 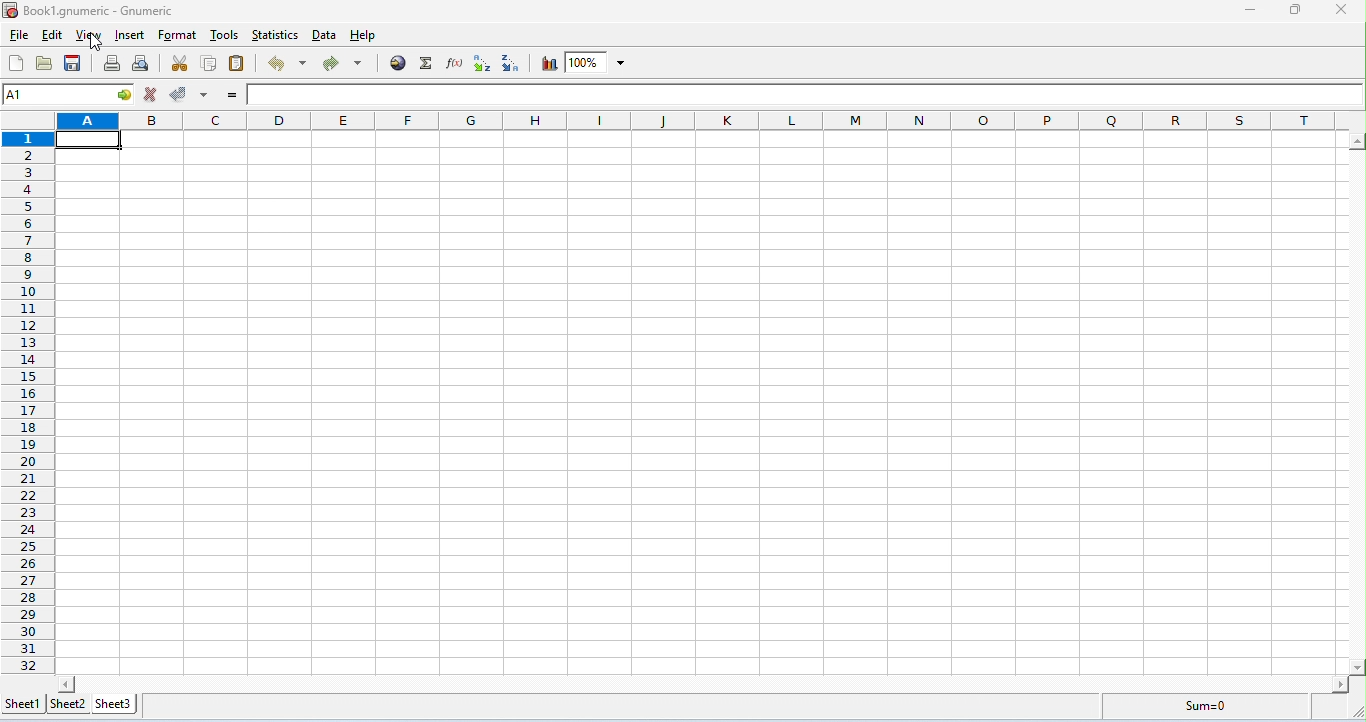 What do you see at coordinates (232, 95) in the screenshot?
I see `=` at bounding box center [232, 95].